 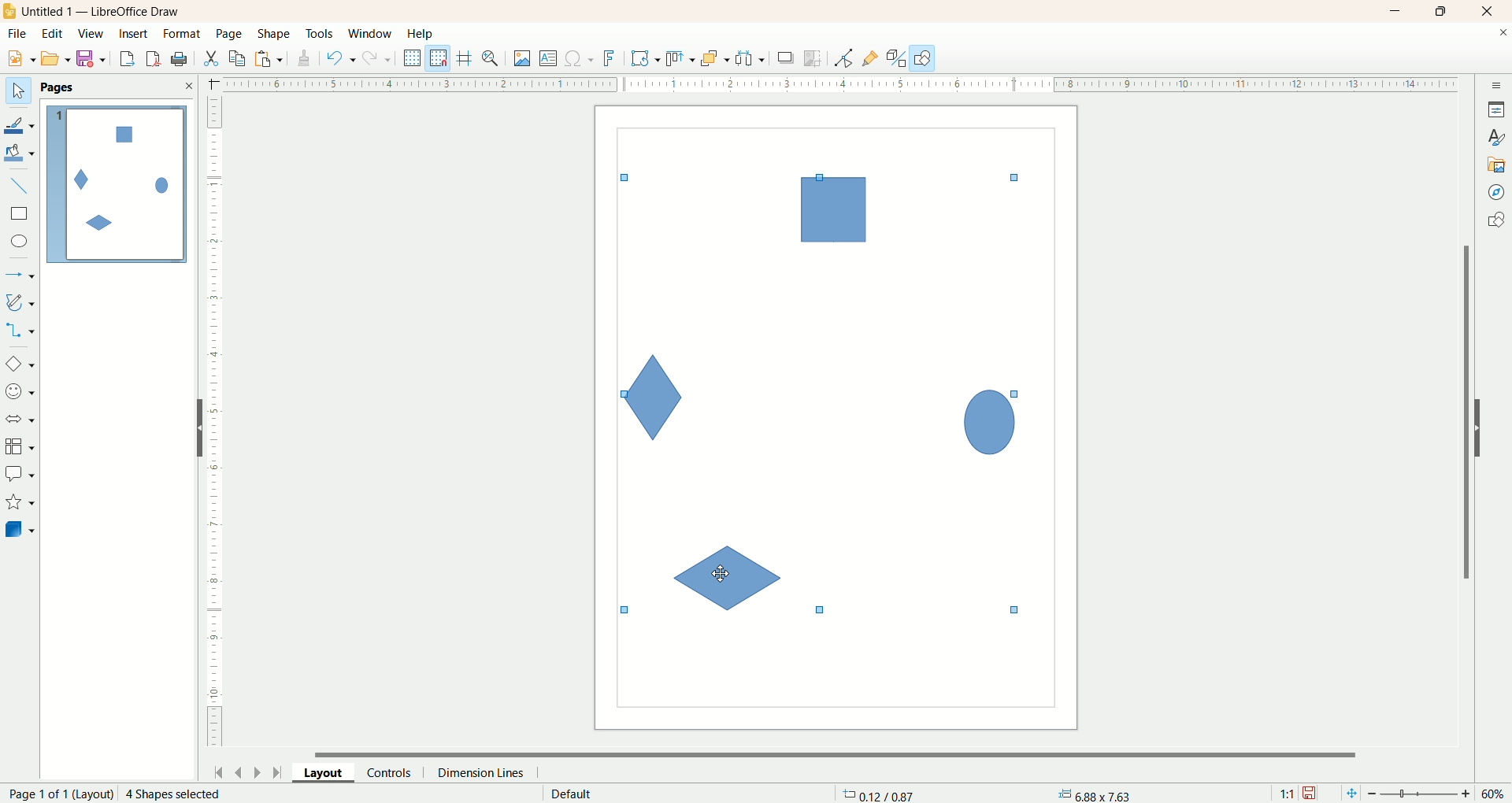 What do you see at coordinates (786, 57) in the screenshot?
I see `shadow` at bounding box center [786, 57].